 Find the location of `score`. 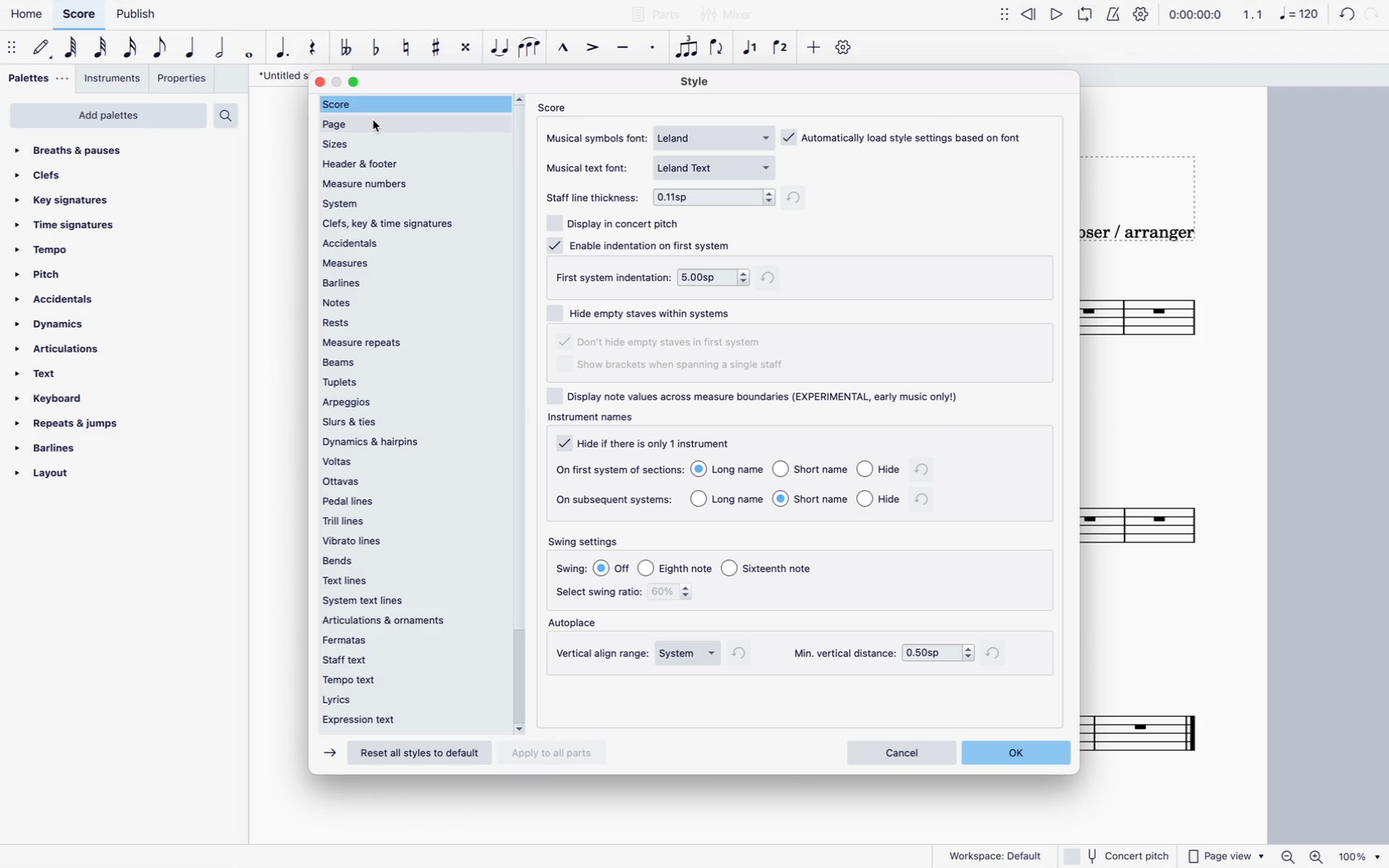

score is located at coordinates (556, 109).